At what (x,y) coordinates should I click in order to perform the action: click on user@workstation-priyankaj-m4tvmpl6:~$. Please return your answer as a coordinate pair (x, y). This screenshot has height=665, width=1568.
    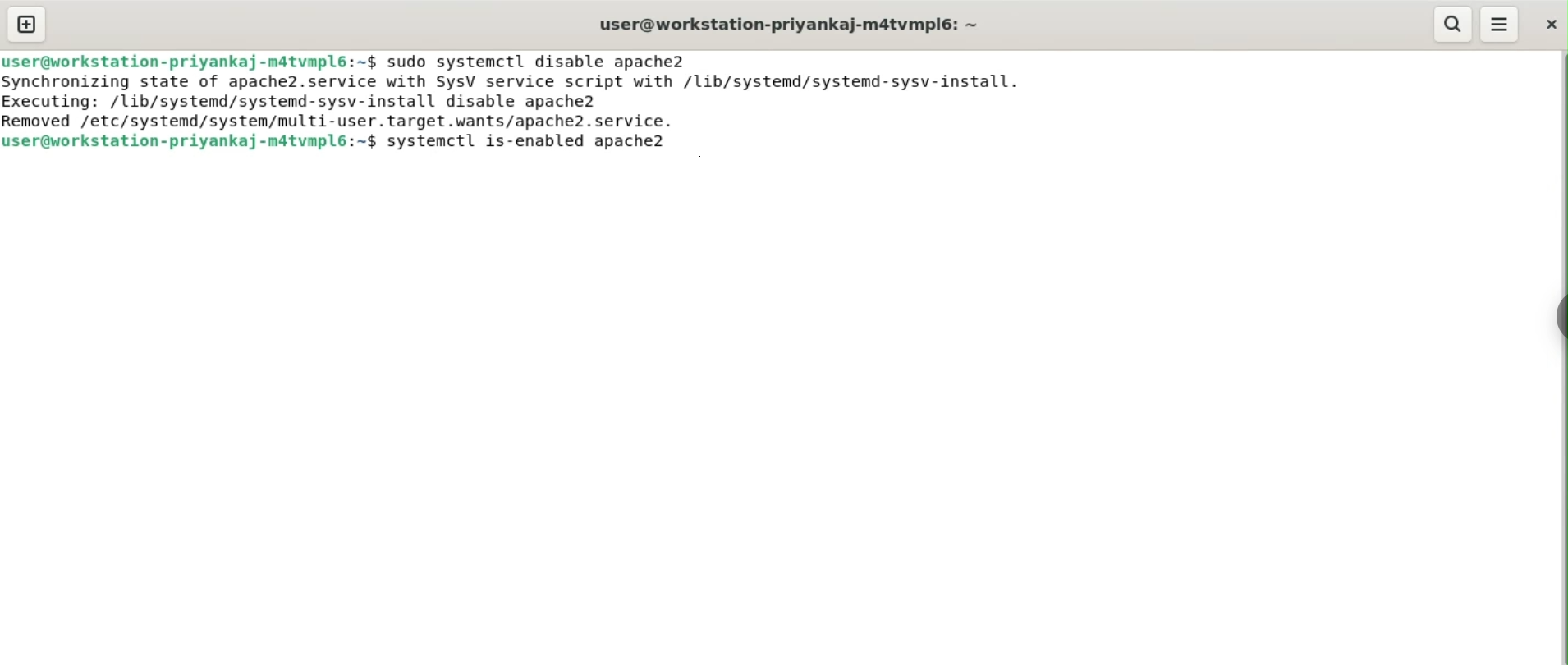
    Looking at the image, I should click on (190, 143).